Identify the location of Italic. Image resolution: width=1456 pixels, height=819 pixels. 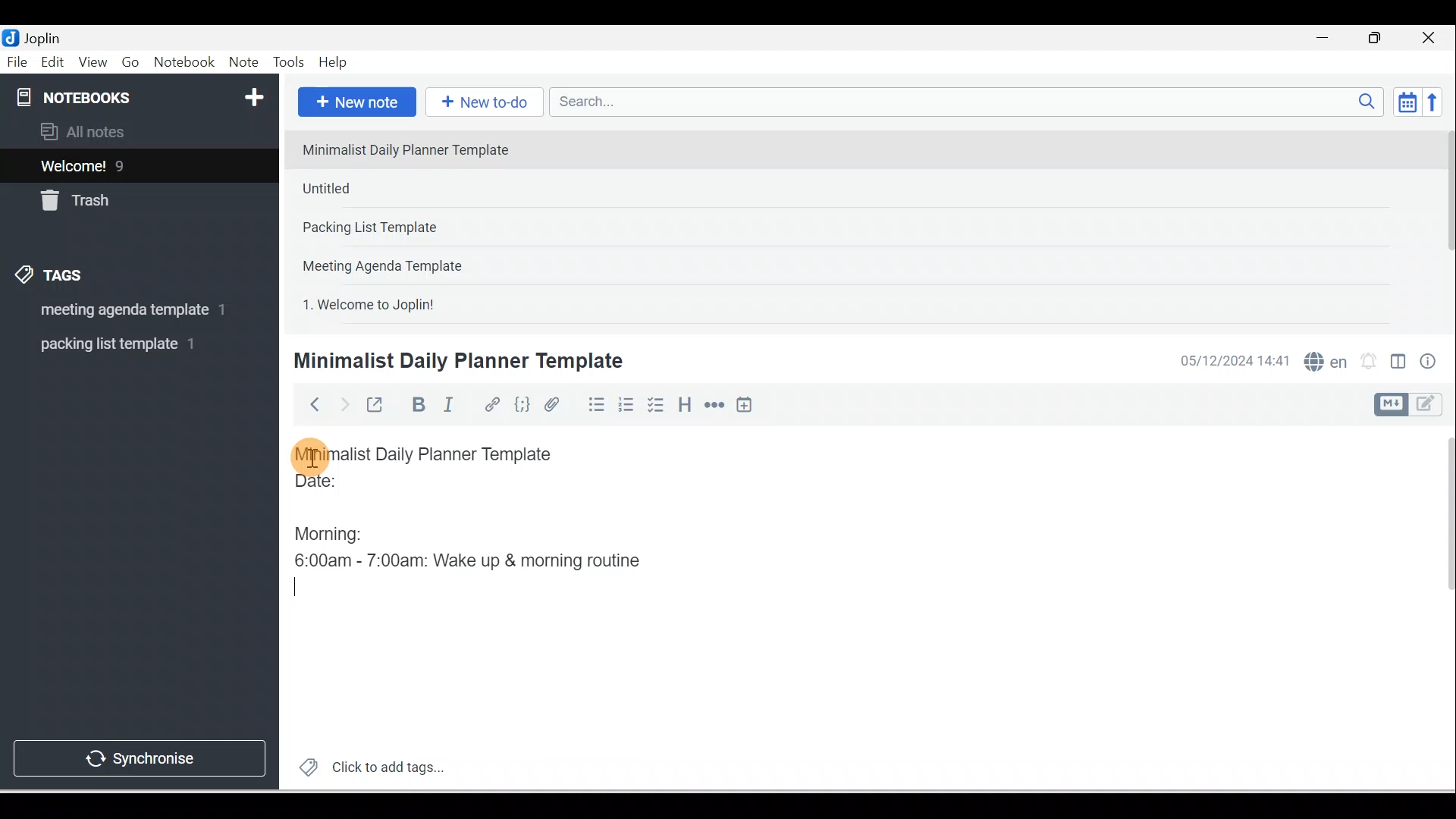
(451, 407).